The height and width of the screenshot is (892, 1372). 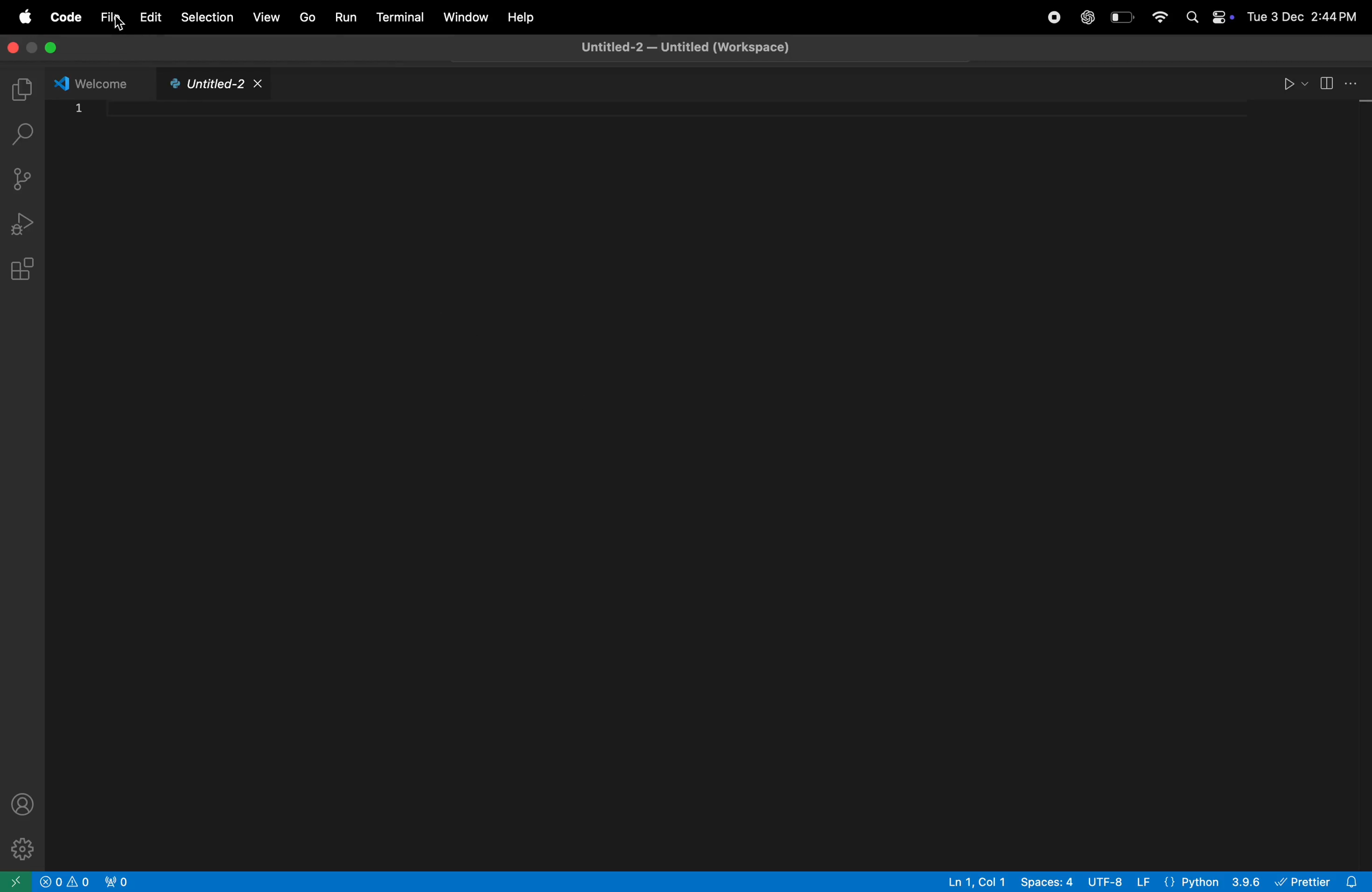 What do you see at coordinates (306, 16) in the screenshot?
I see `go` at bounding box center [306, 16].